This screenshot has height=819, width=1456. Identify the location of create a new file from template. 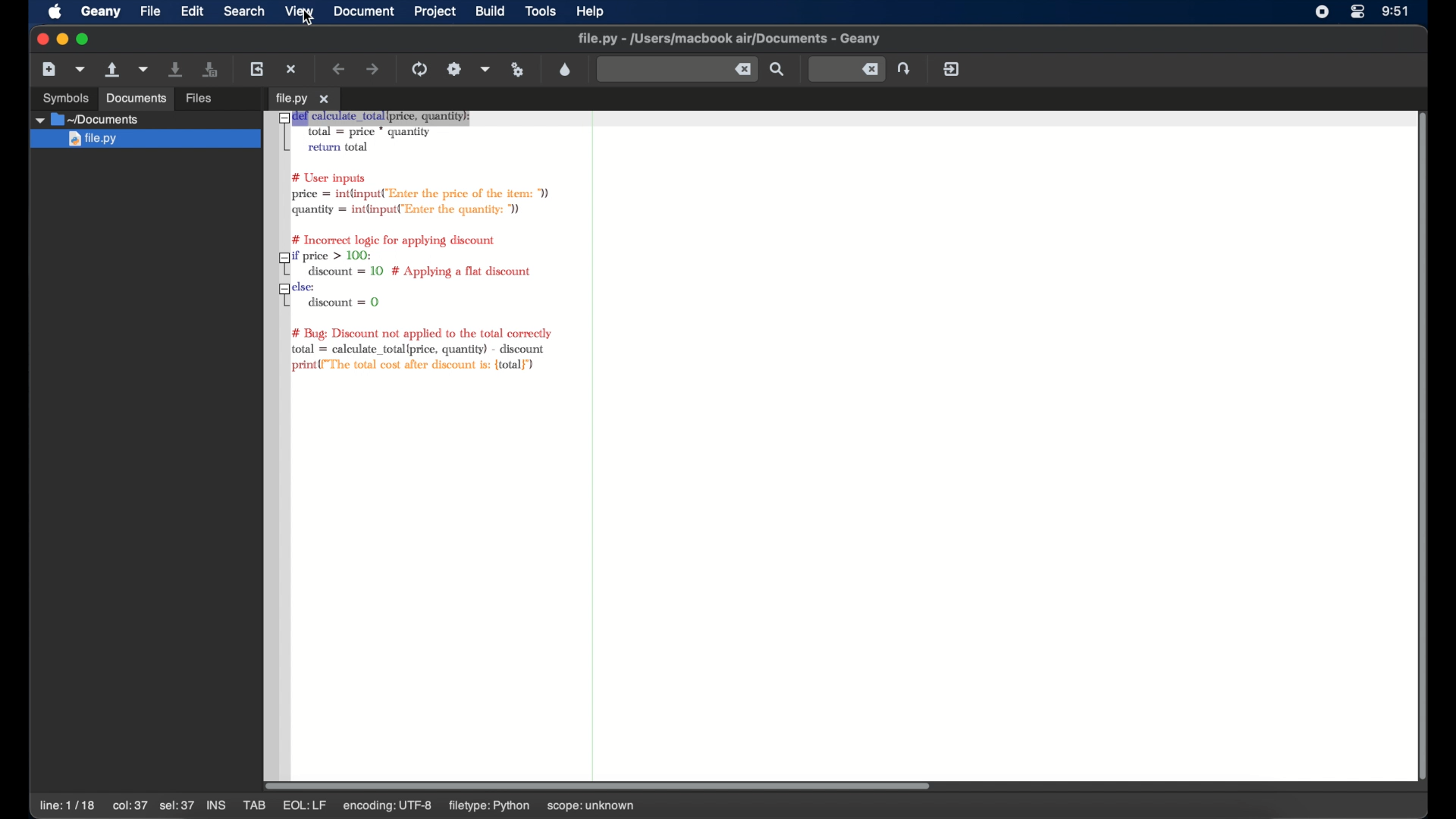
(81, 69).